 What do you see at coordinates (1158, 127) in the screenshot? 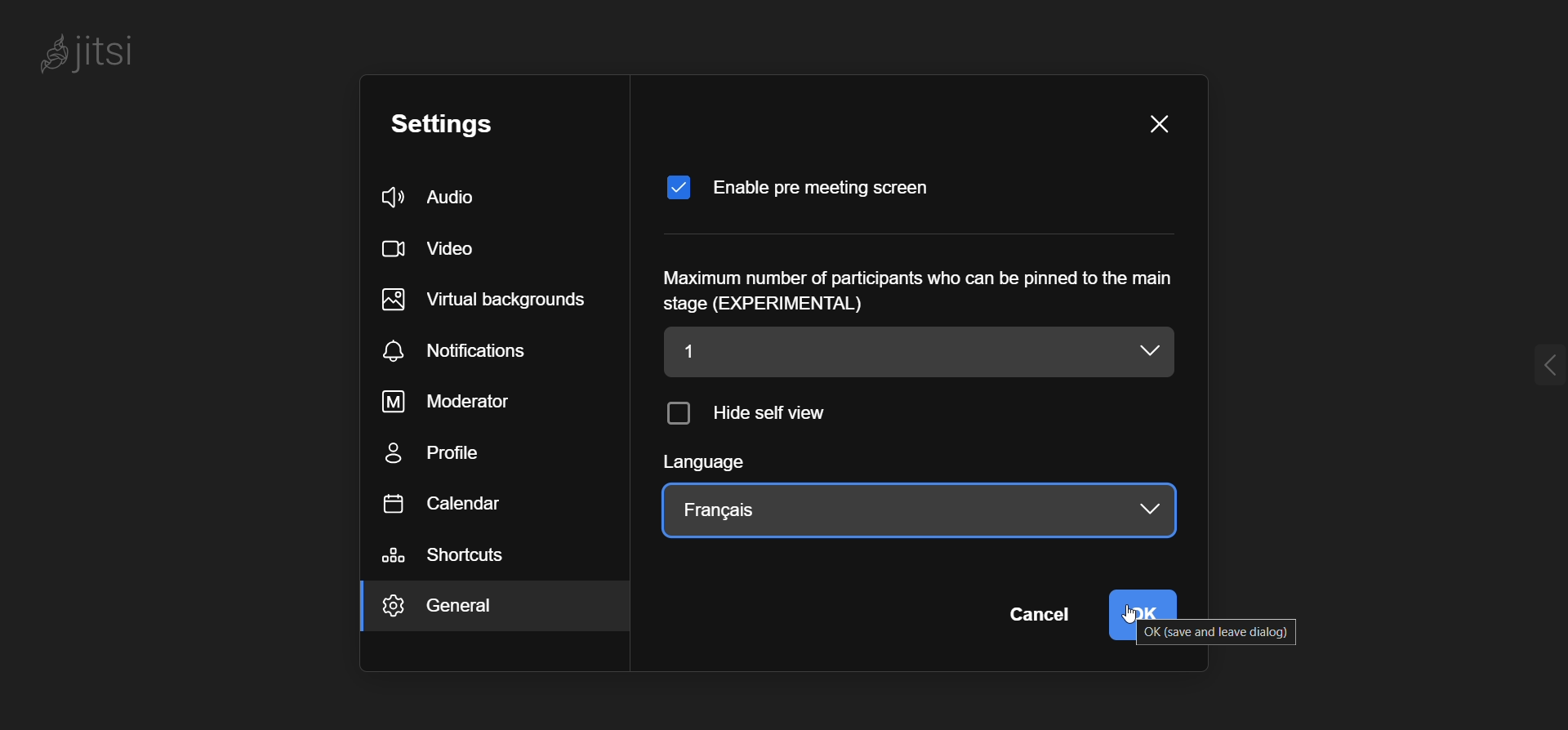
I see `close` at bounding box center [1158, 127].